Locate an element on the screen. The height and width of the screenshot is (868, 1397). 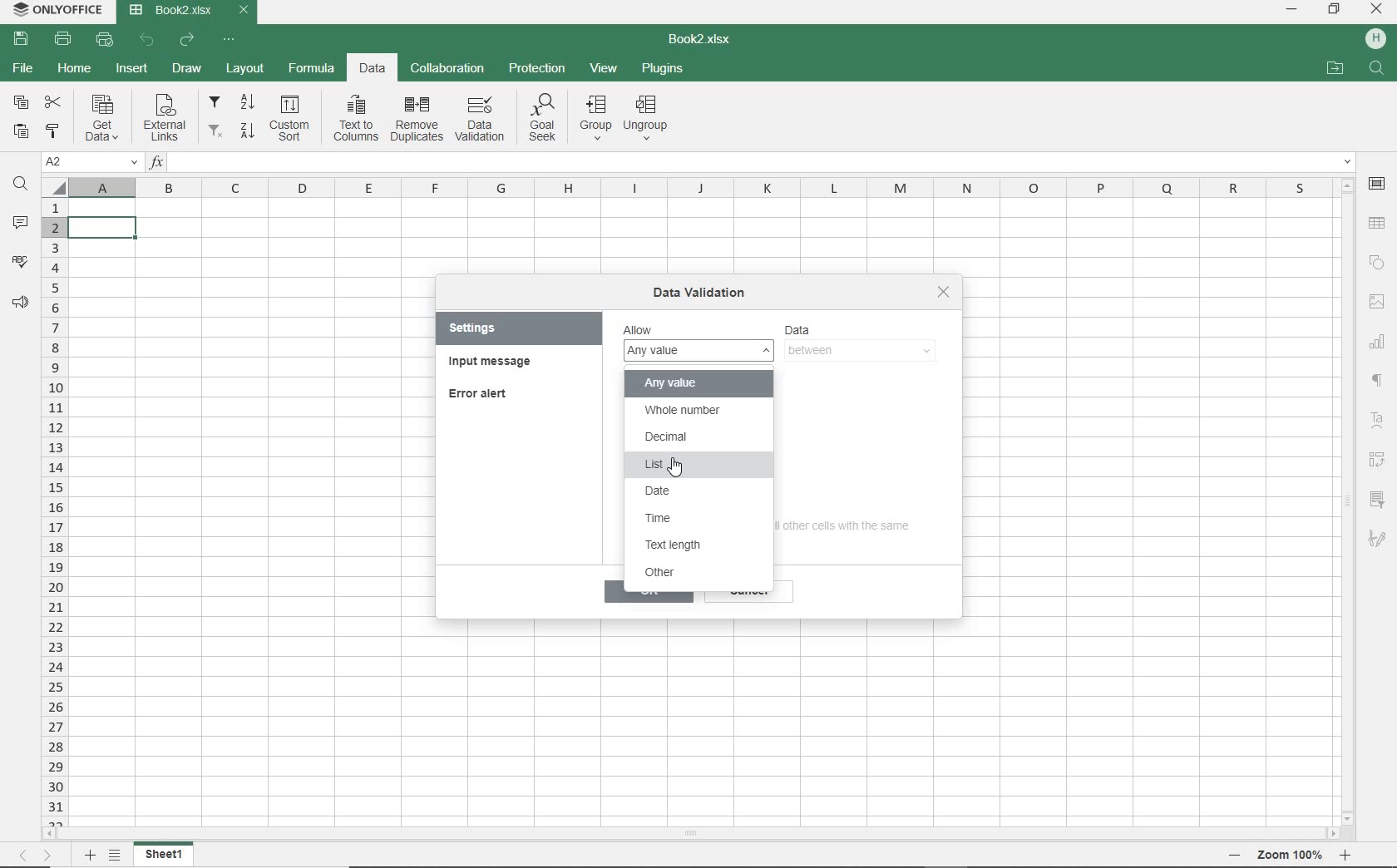
INSERT is located at coordinates (133, 66).